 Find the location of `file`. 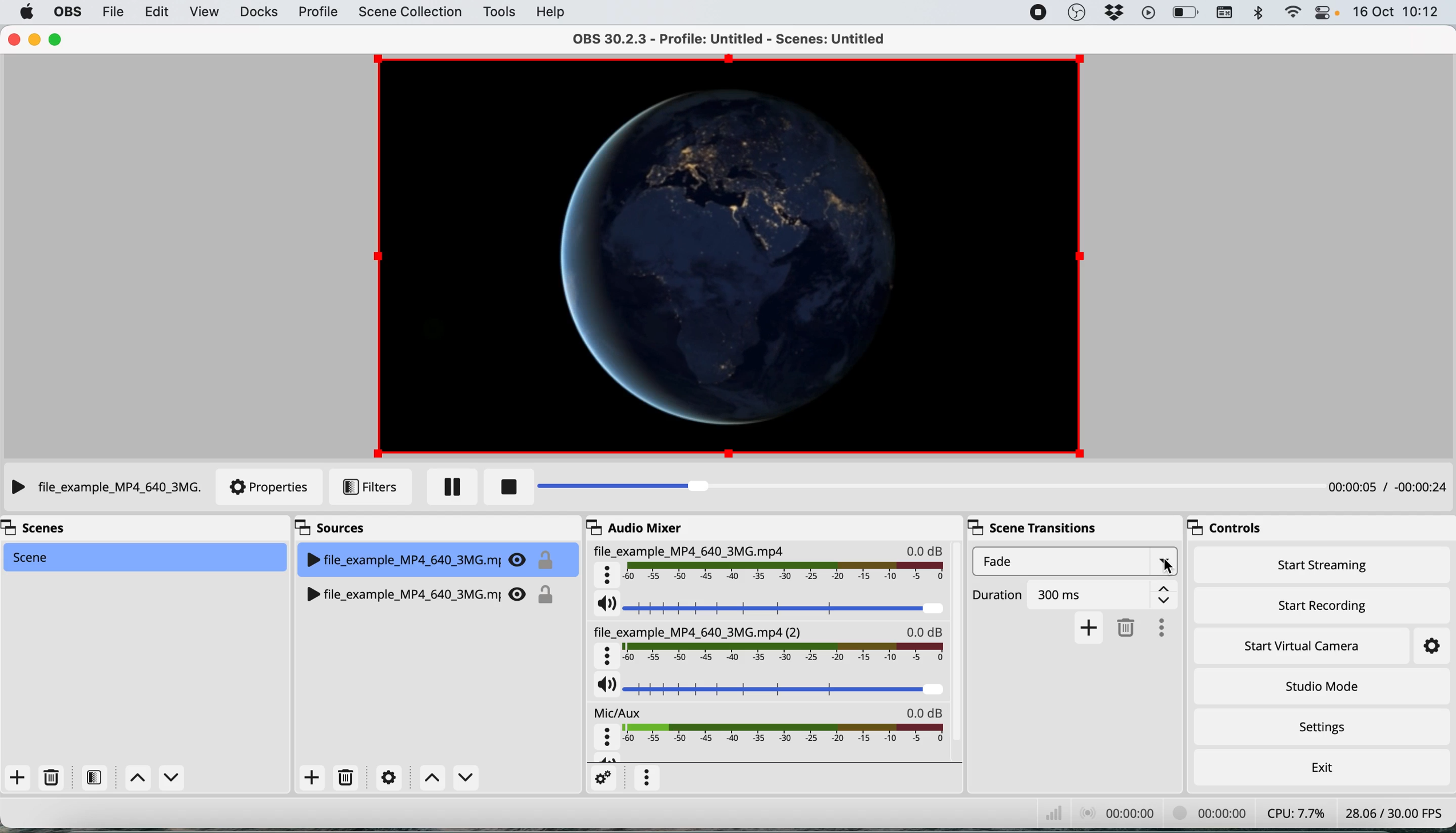

file is located at coordinates (117, 11).